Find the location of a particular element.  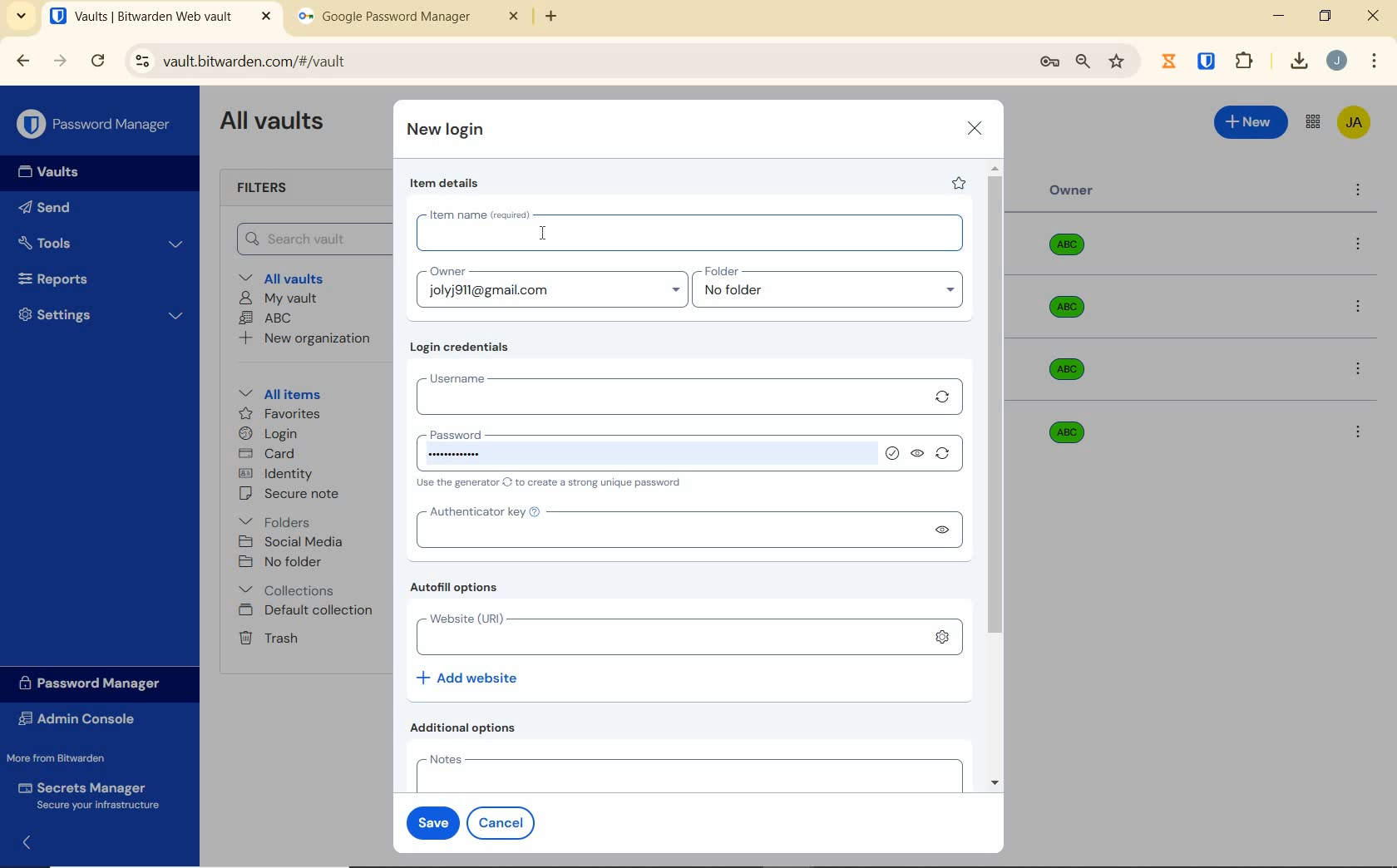

good is located at coordinates (892, 452).